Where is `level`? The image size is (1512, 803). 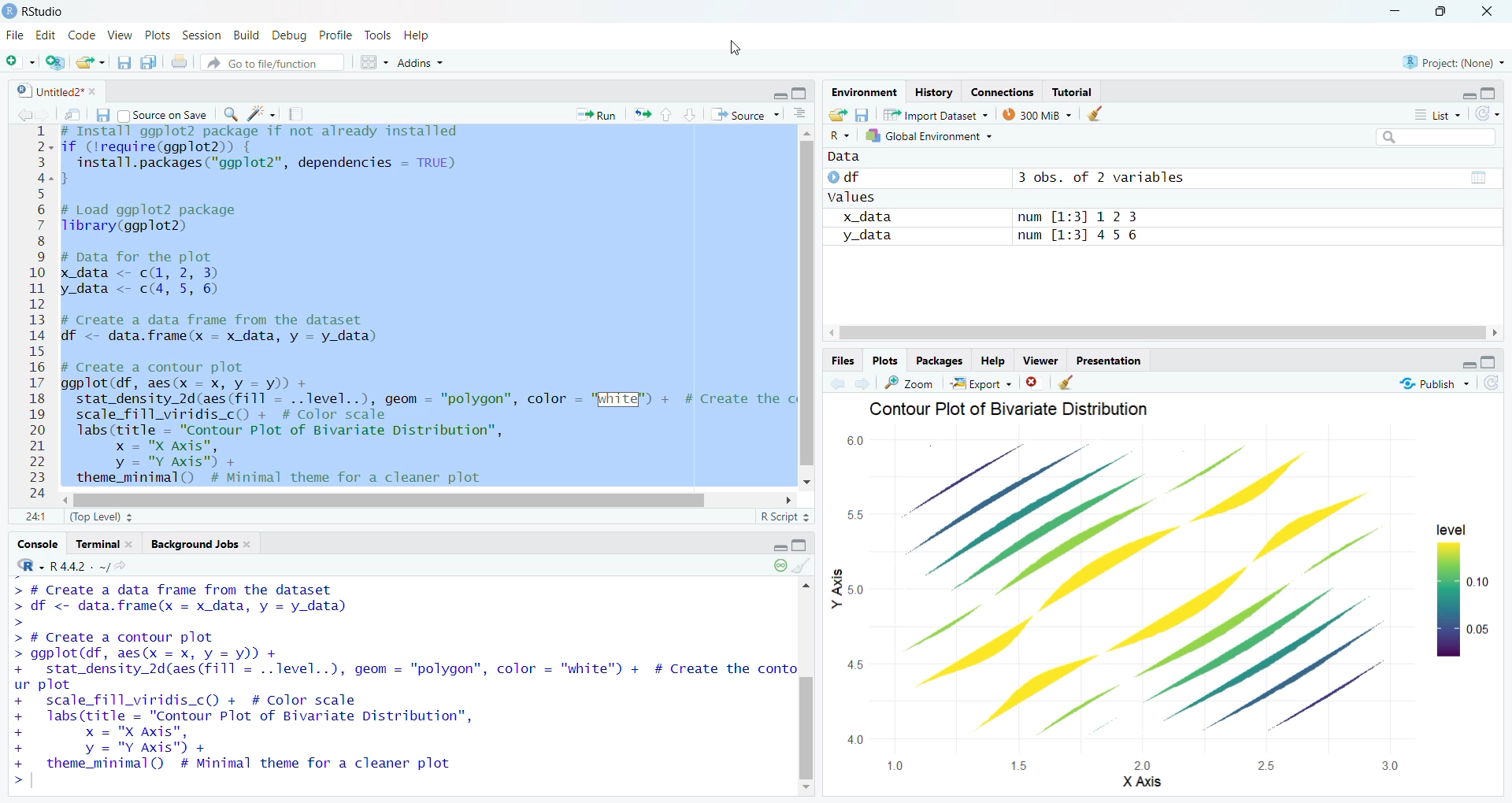
level is located at coordinates (1453, 530).